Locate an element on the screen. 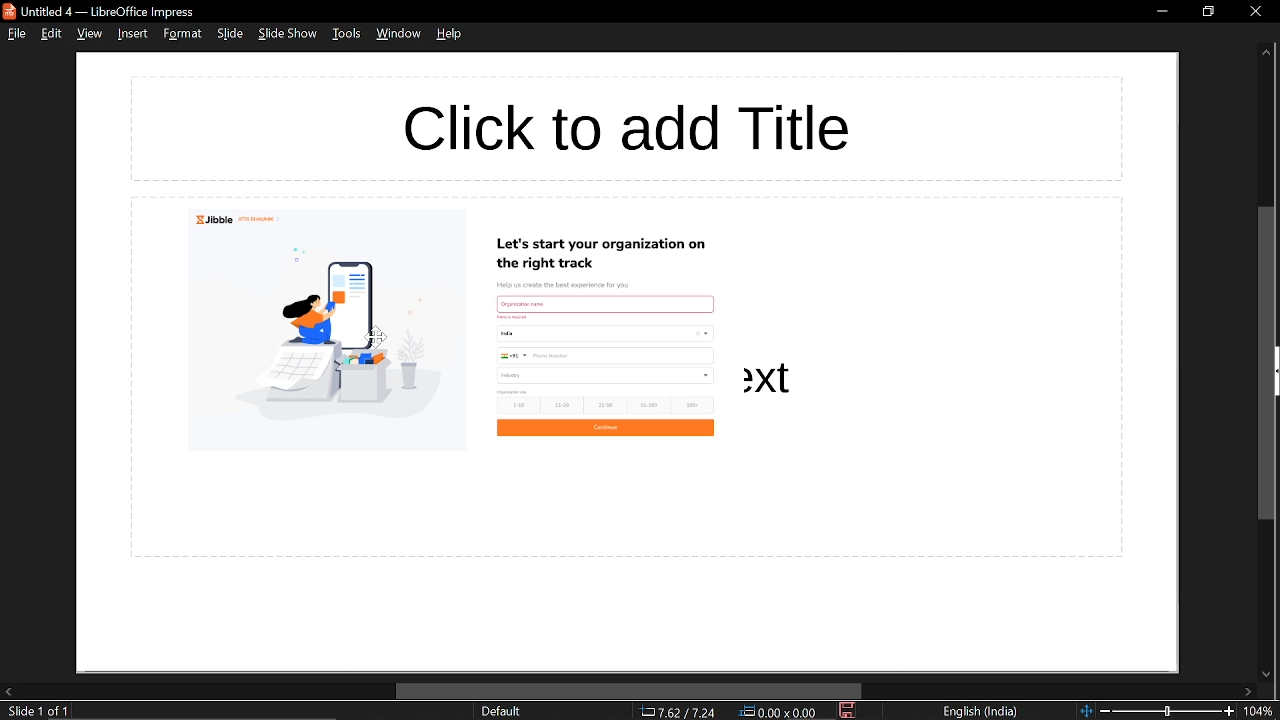 The height and width of the screenshot is (720, 1280). move down is located at coordinates (1264, 675).